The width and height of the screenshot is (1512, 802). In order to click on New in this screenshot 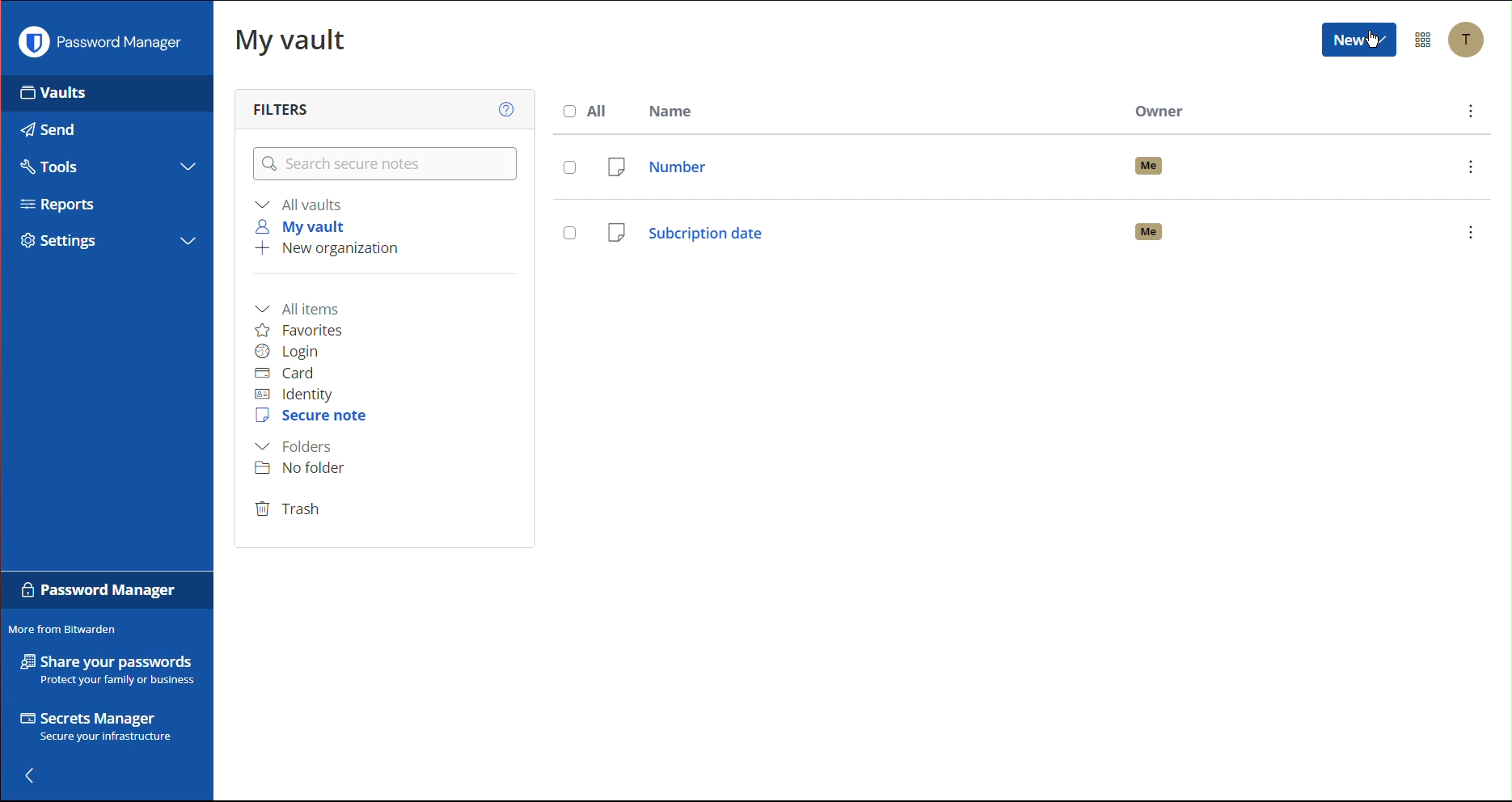, I will do `click(1358, 42)`.